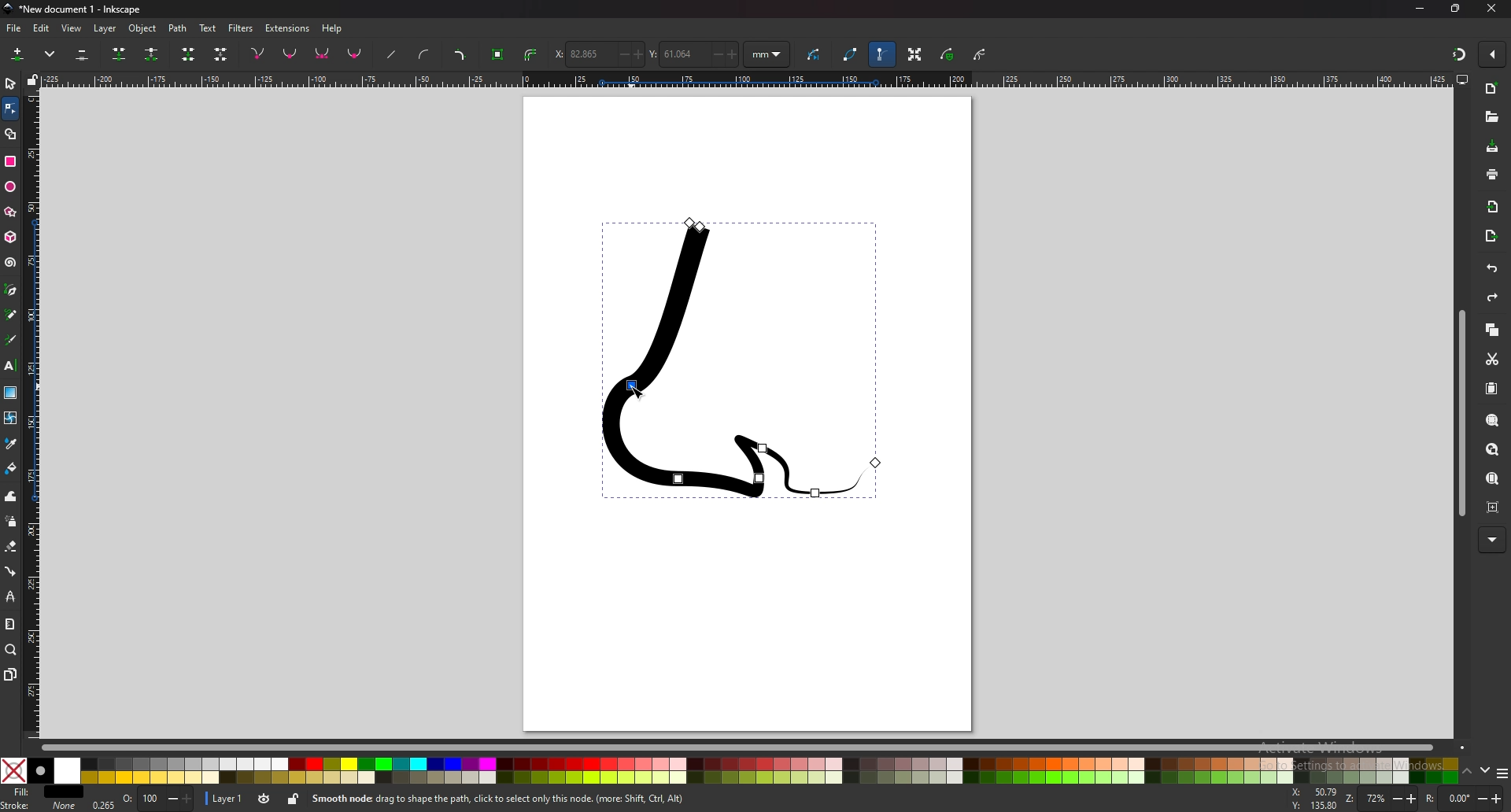 This screenshot has height=812, width=1511. I want to click on insert new nodes, so click(18, 54).